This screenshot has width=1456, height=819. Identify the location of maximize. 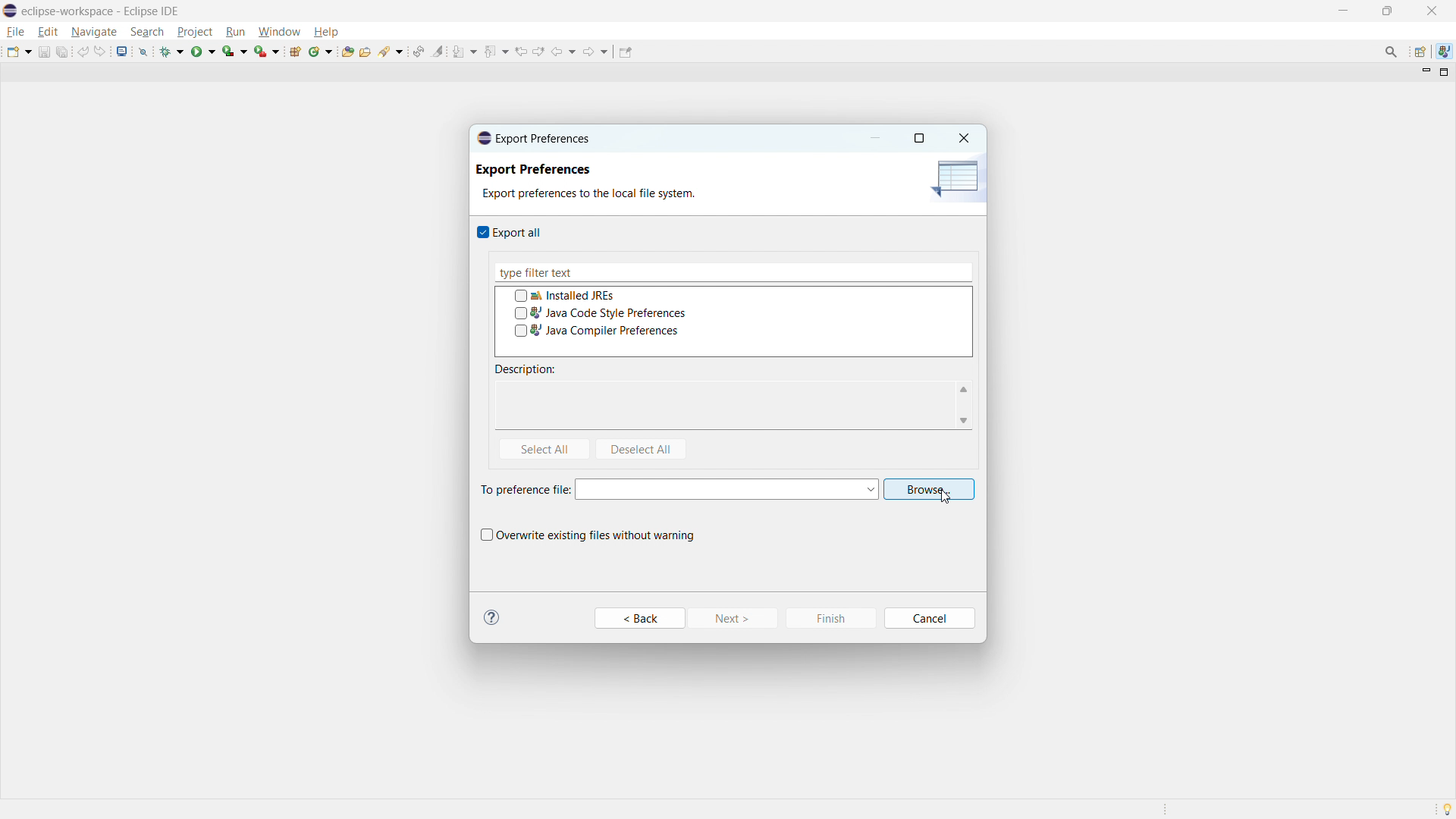
(923, 136).